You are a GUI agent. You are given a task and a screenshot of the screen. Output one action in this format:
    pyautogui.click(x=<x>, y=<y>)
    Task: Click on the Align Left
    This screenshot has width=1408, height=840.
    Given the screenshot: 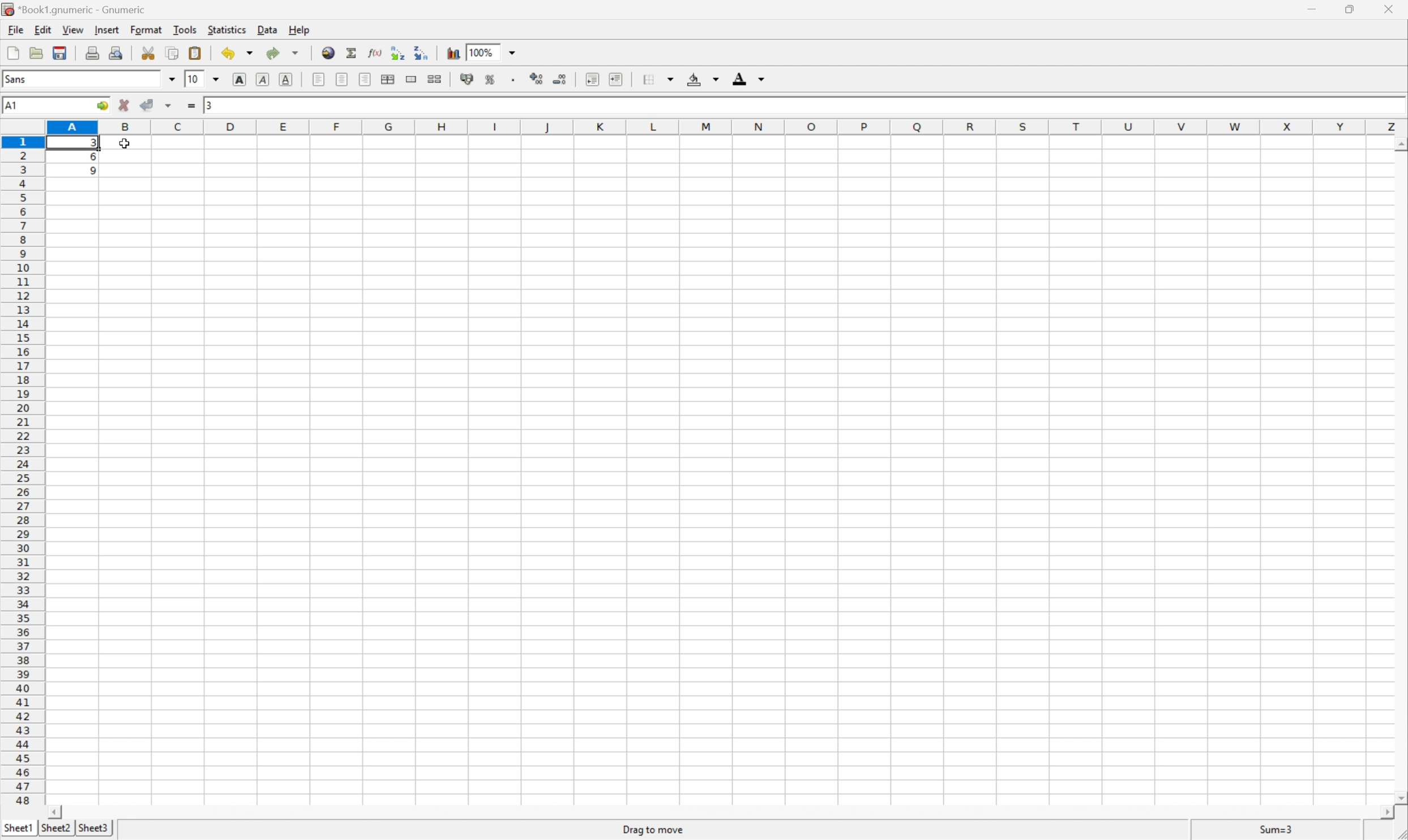 What is the action you would take?
    pyautogui.click(x=317, y=80)
    